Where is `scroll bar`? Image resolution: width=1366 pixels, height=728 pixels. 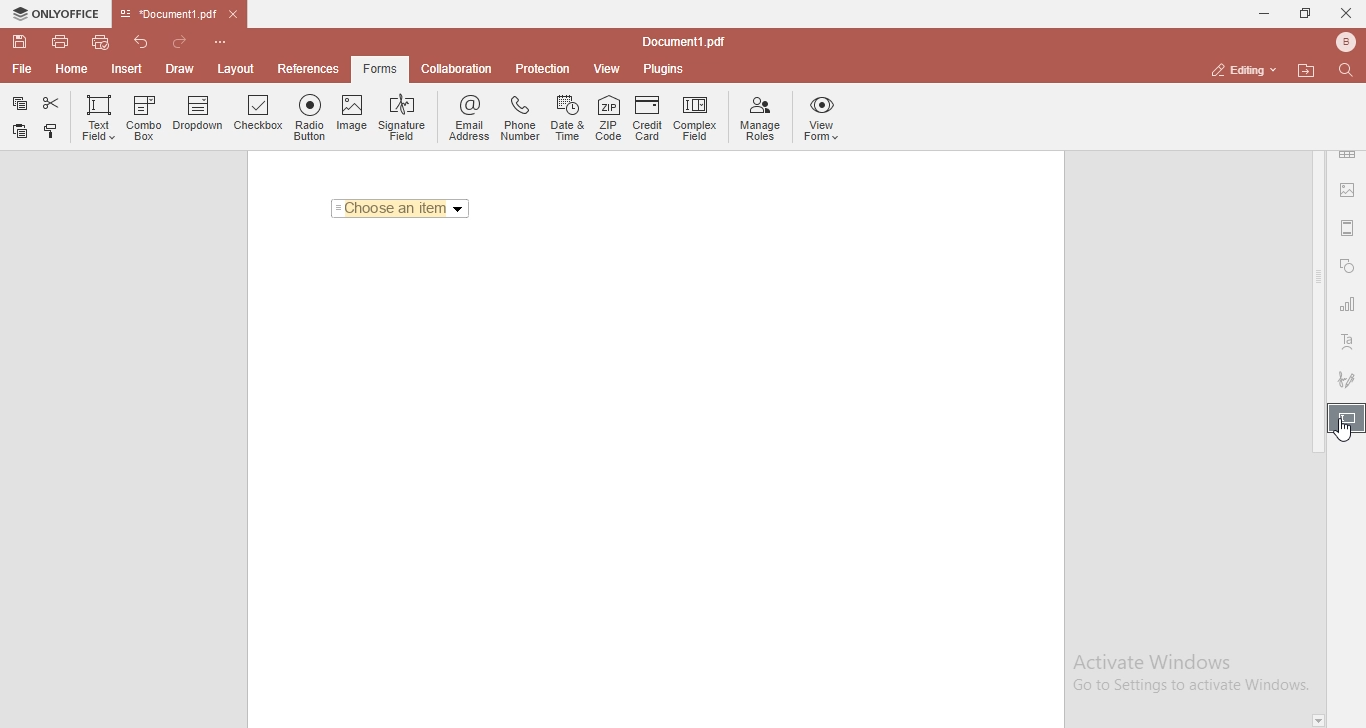 scroll bar is located at coordinates (1318, 302).